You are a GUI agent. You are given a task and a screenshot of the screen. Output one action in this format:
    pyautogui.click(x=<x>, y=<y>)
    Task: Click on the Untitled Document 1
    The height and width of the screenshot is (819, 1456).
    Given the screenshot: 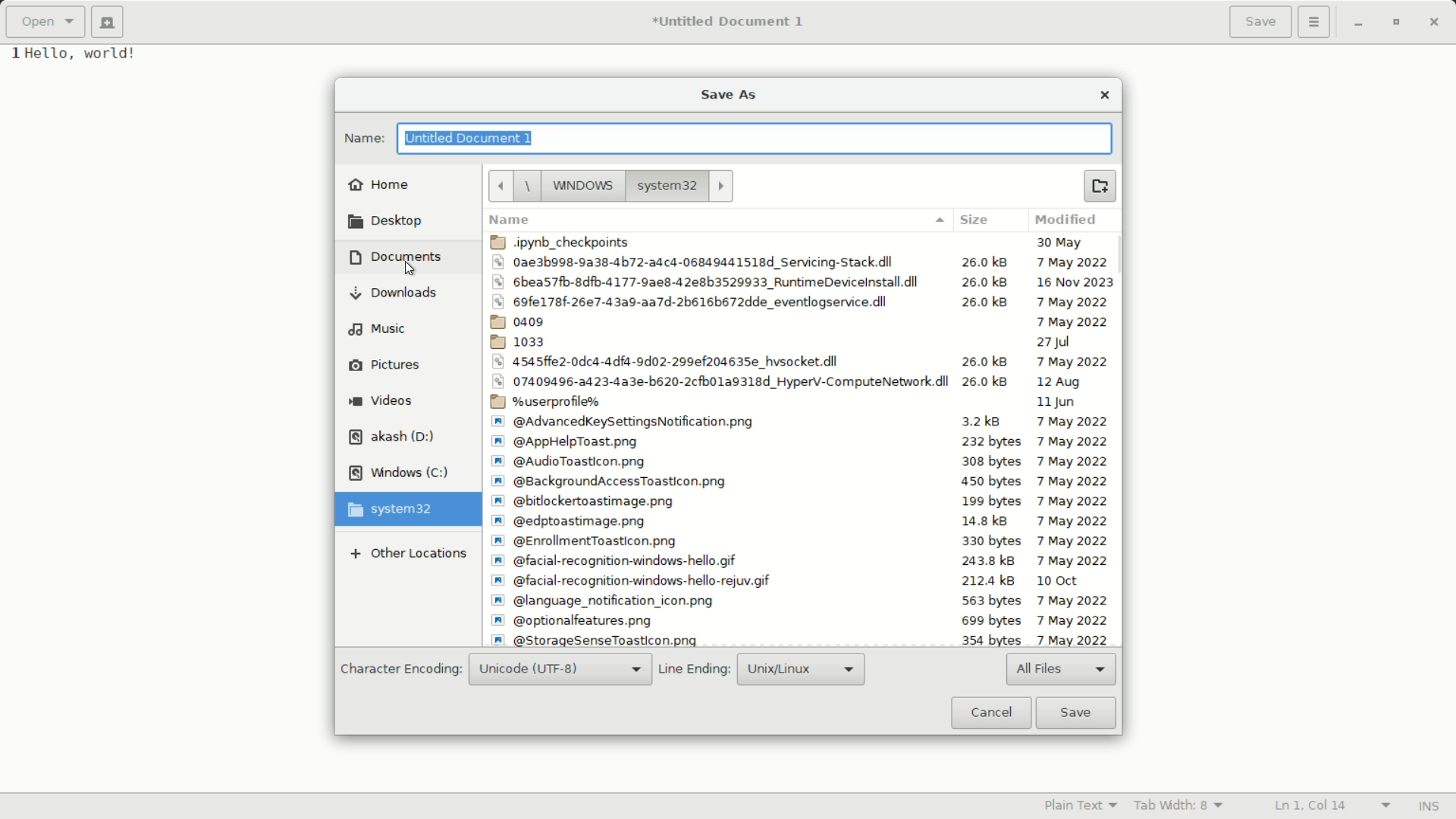 What is the action you would take?
    pyautogui.click(x=729, y=22)
    